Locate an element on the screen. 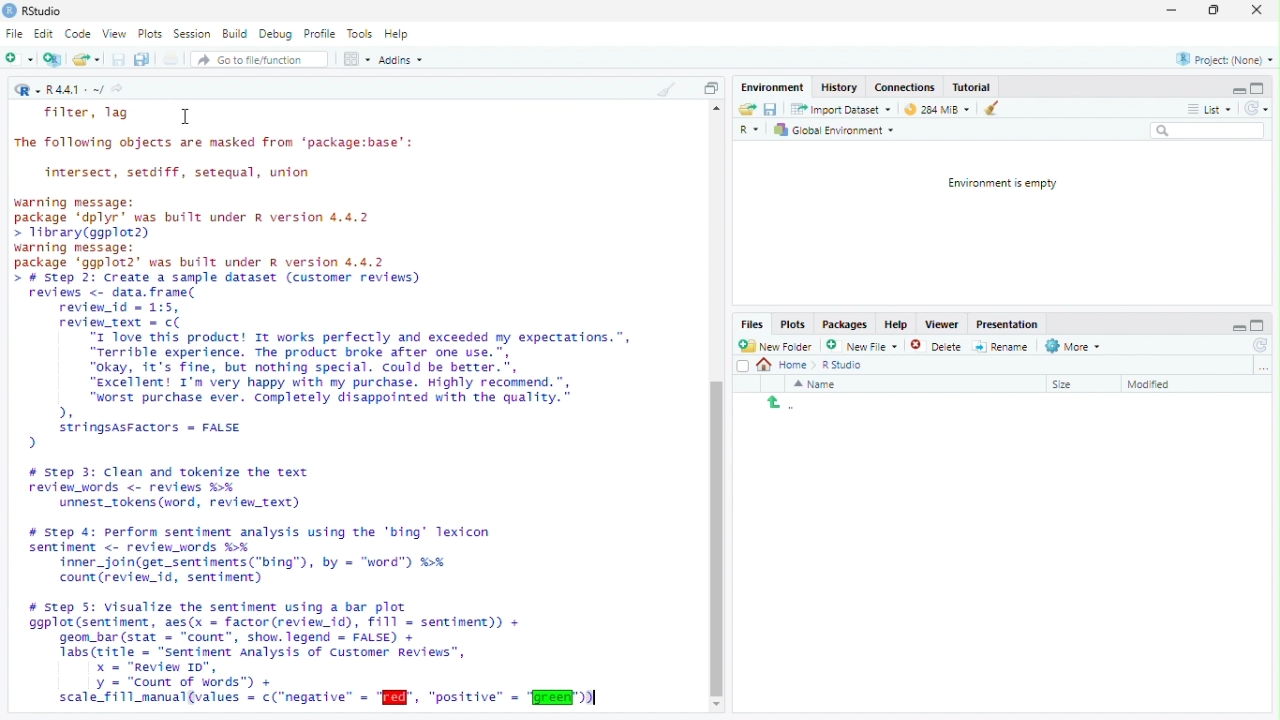 This screenshot has width=1280, height=720. Profile is located at coordinates (319, 33).